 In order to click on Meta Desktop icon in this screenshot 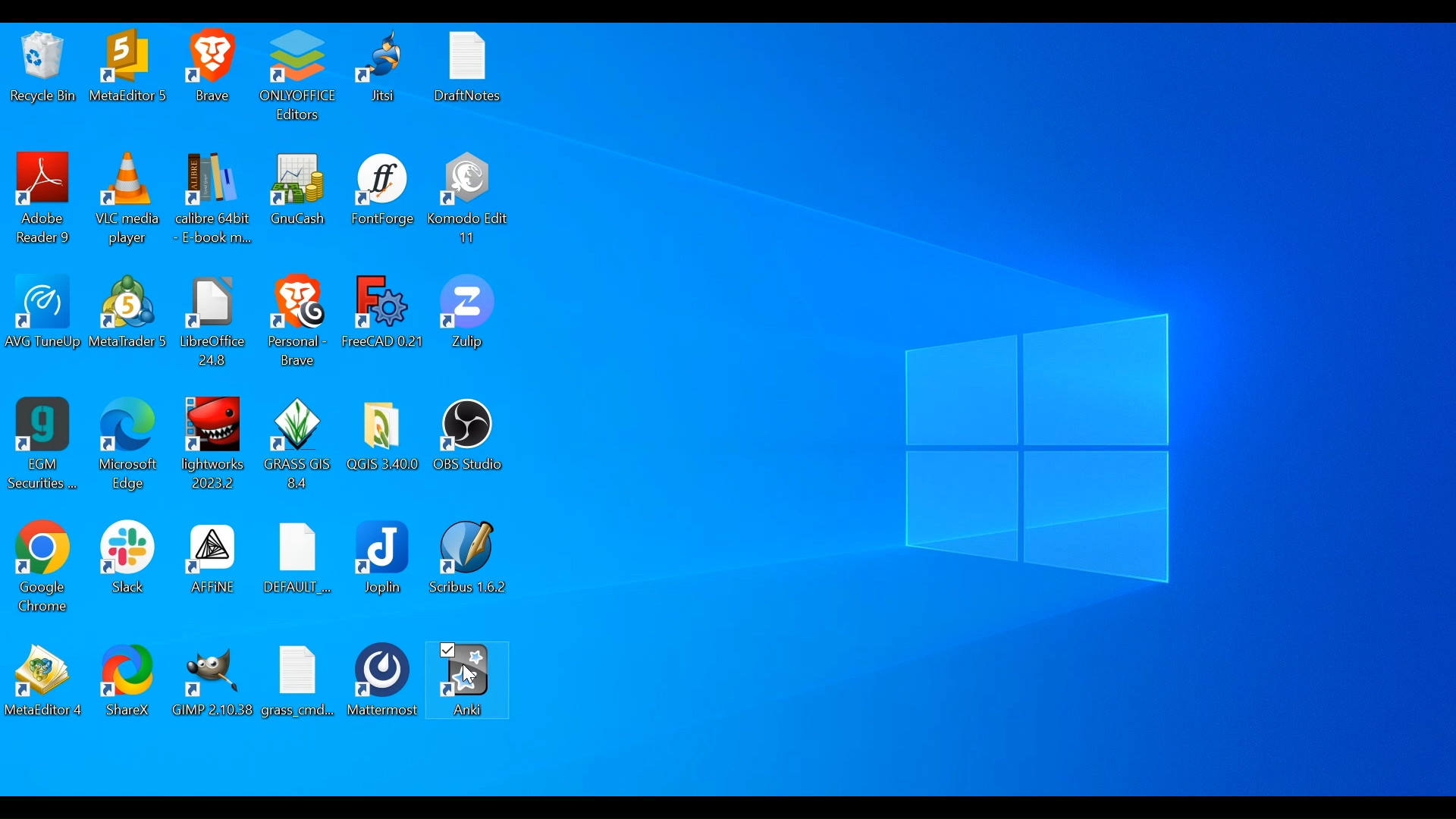, I will do `click(45, 679)`.